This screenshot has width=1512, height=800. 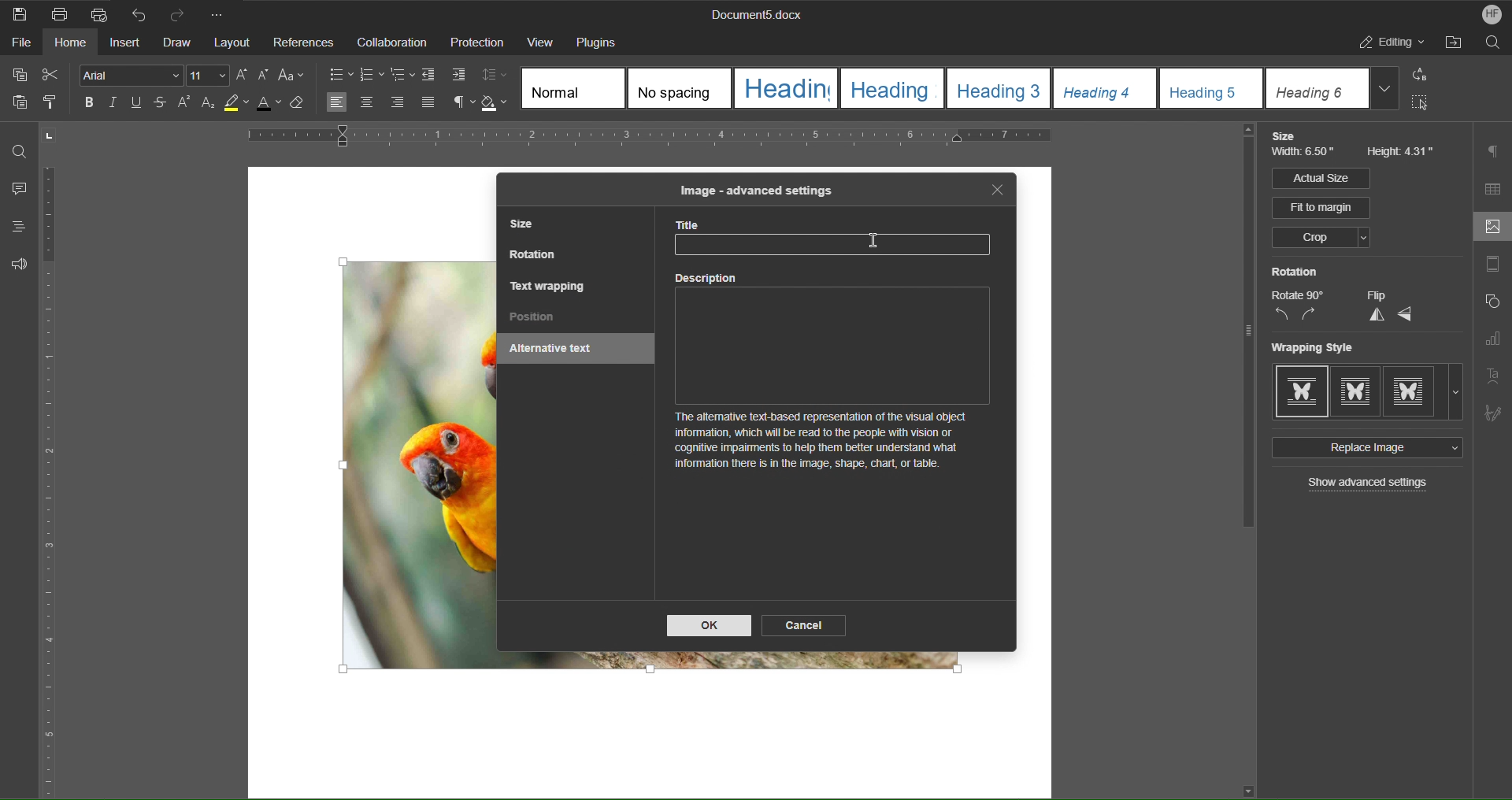 I want to click on Copy, so click(x=18, y=75).